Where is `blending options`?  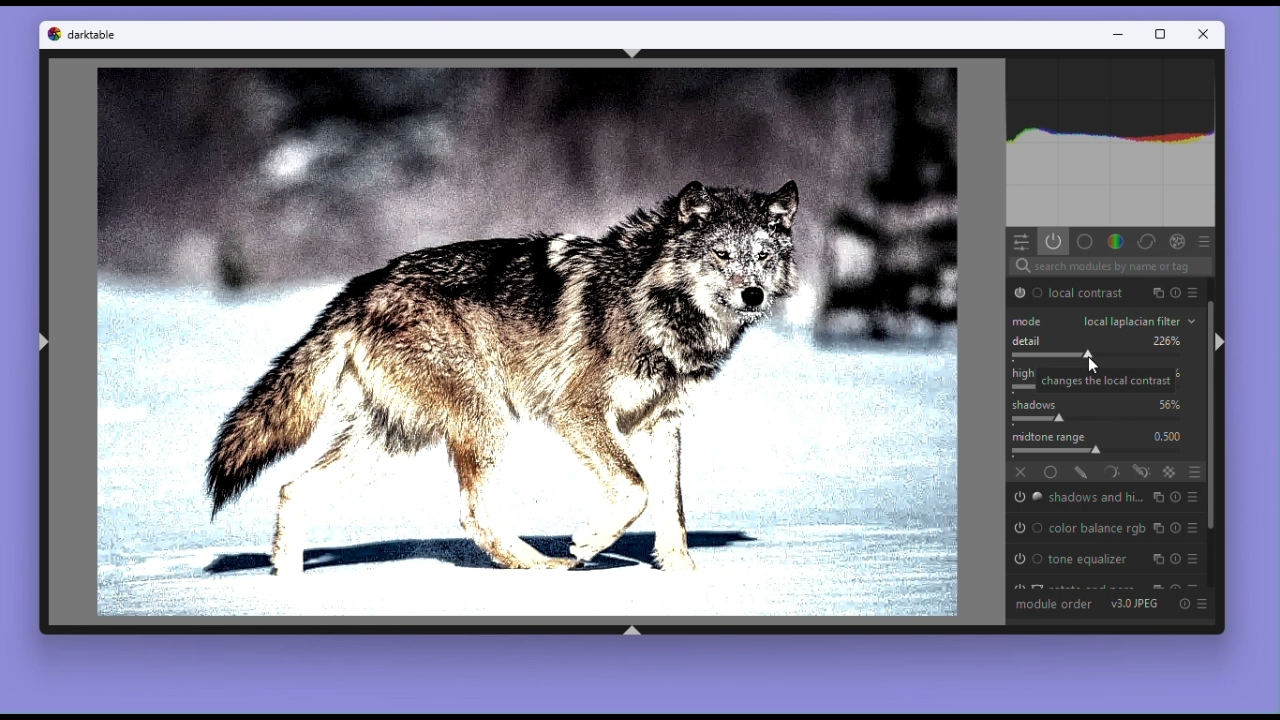
blending options is located at coordinates (1196, 474).